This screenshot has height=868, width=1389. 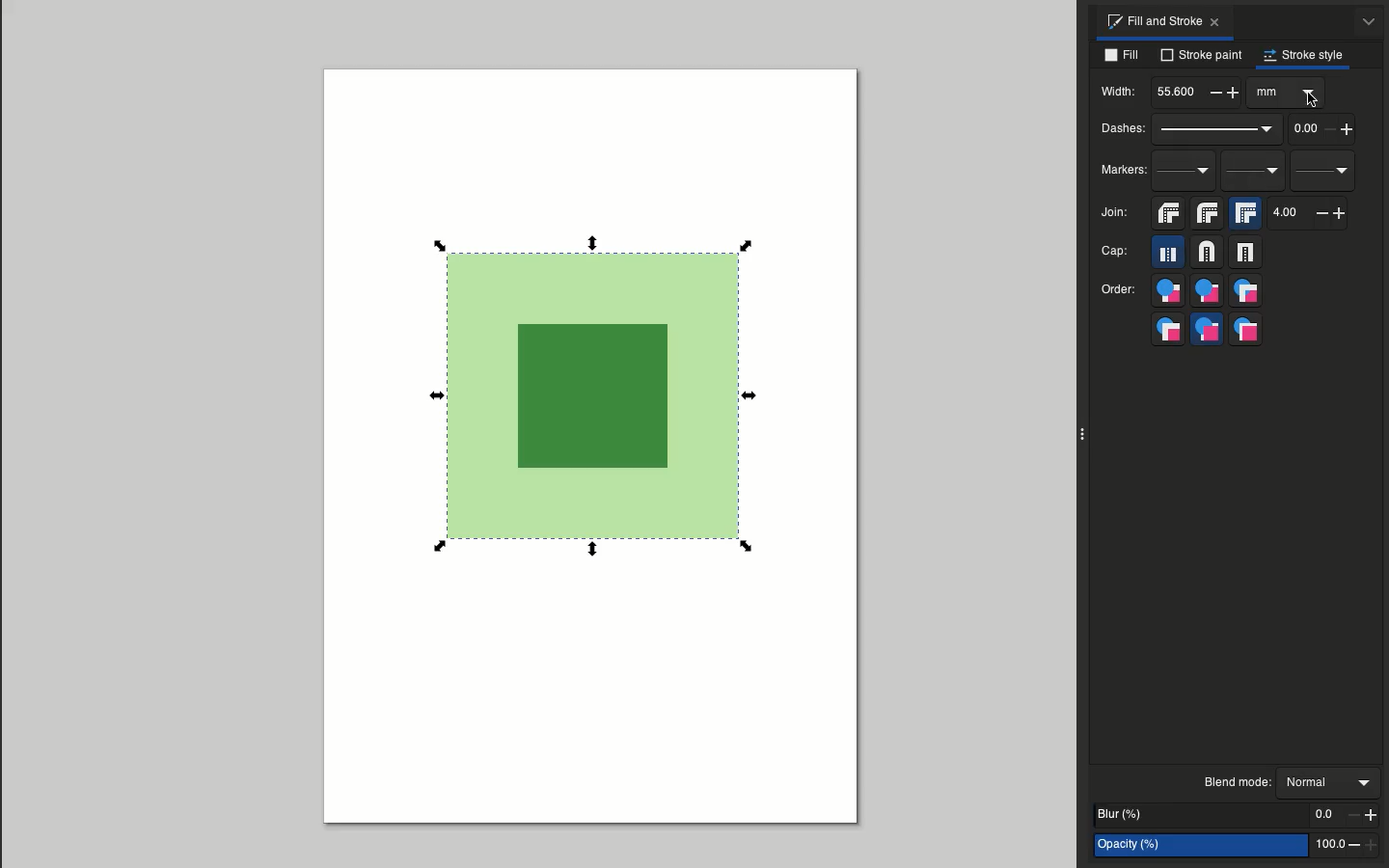 I want to click on Stroke, markers, fill, so click(x=1209, y=330).